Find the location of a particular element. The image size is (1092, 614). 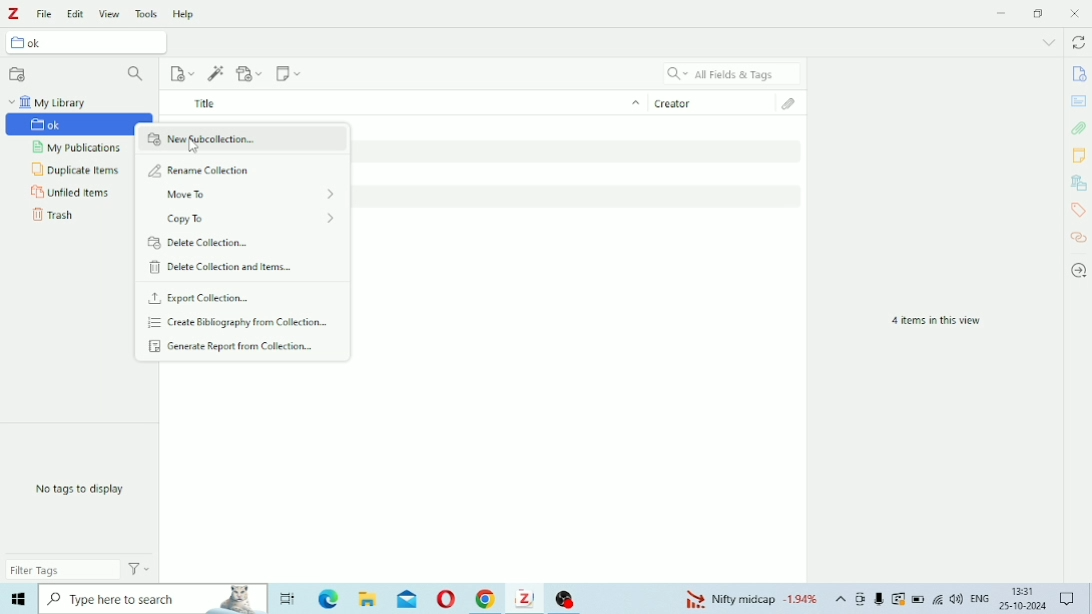

Add Item (s) by Identifier is located at coordinates (217, 74).